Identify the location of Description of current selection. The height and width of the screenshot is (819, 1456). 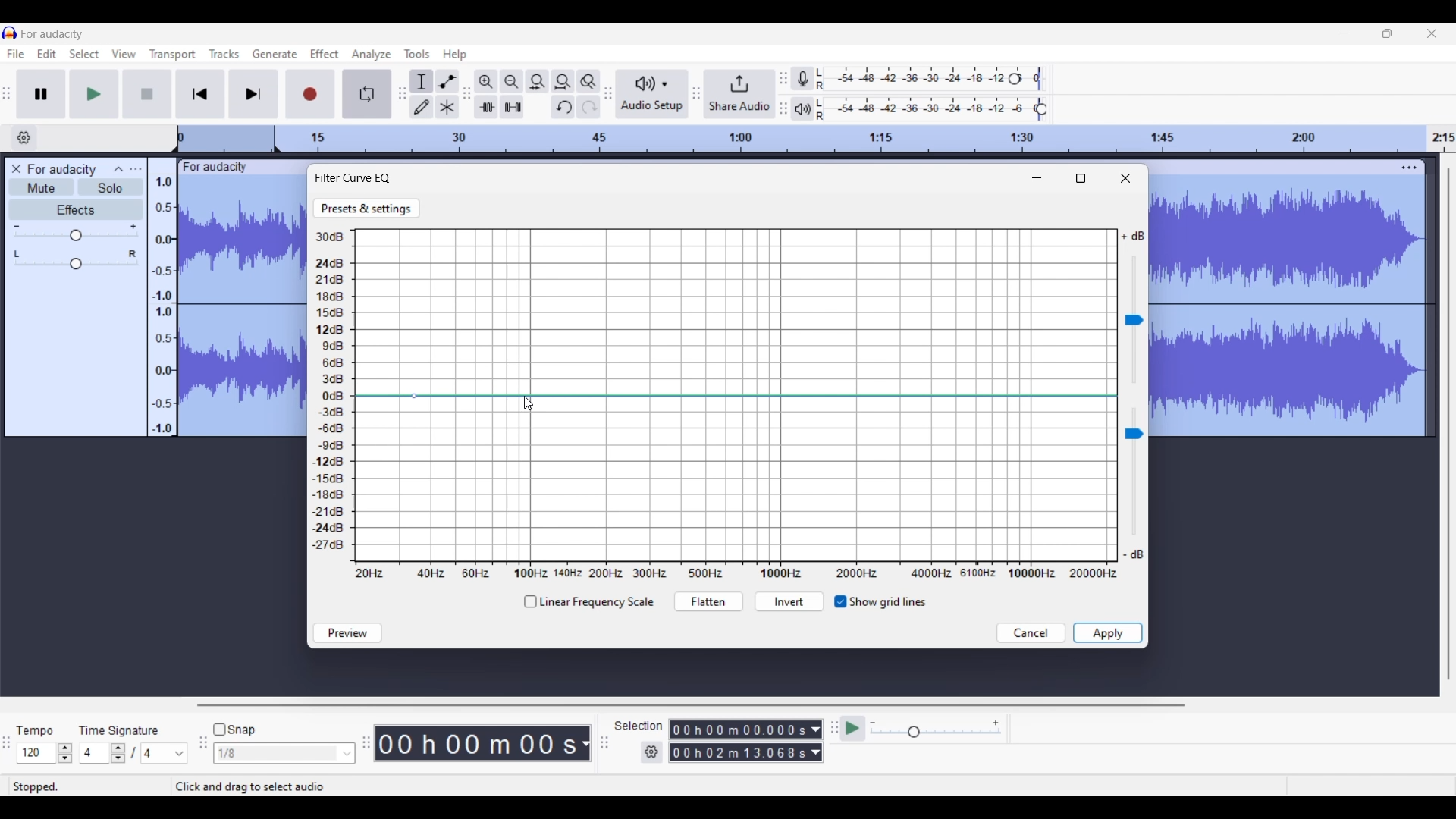
(267, 786).